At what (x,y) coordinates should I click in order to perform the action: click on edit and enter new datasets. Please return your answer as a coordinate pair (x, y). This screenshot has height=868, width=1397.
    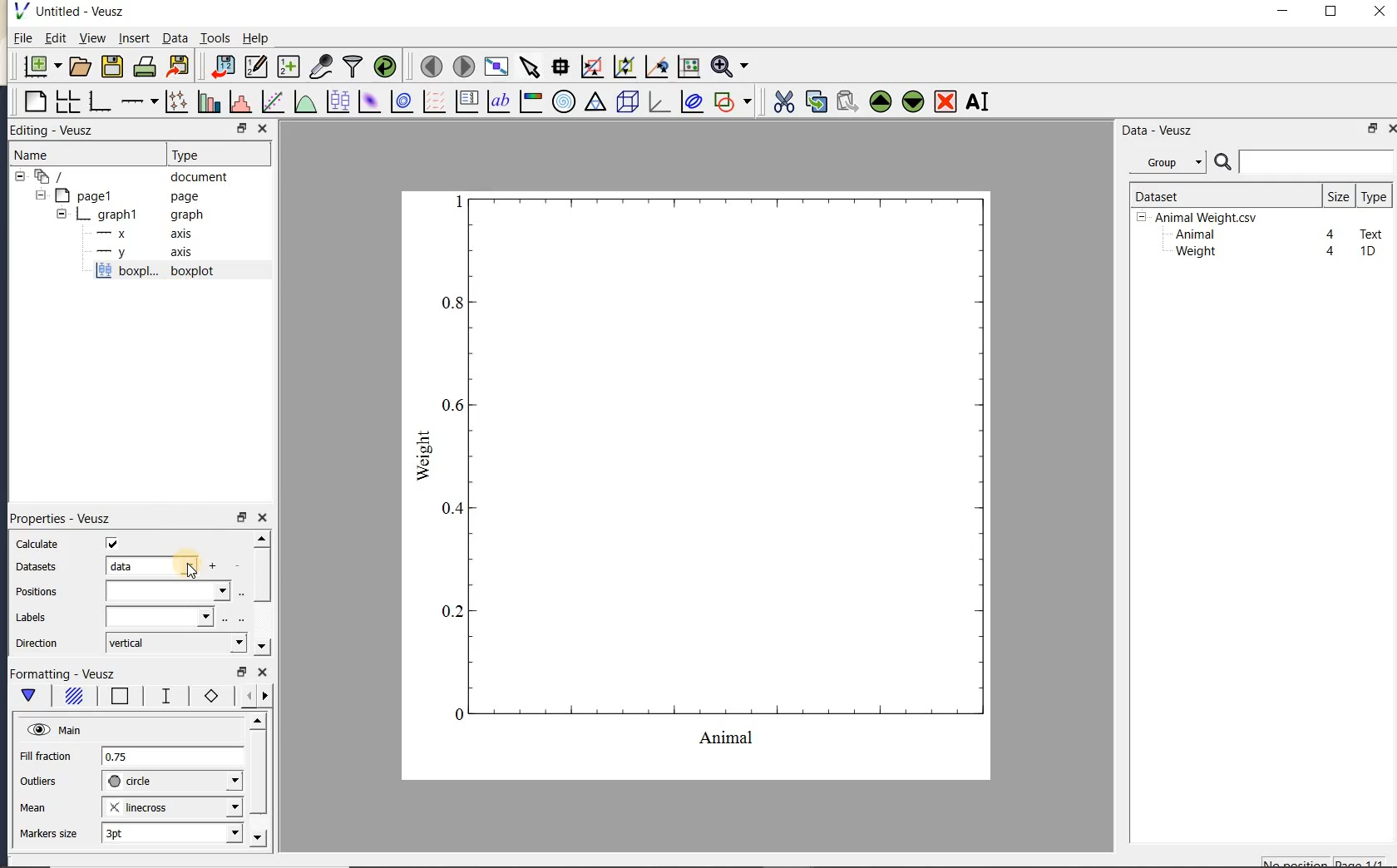
    Looking at the image, I should click on (255, 67).